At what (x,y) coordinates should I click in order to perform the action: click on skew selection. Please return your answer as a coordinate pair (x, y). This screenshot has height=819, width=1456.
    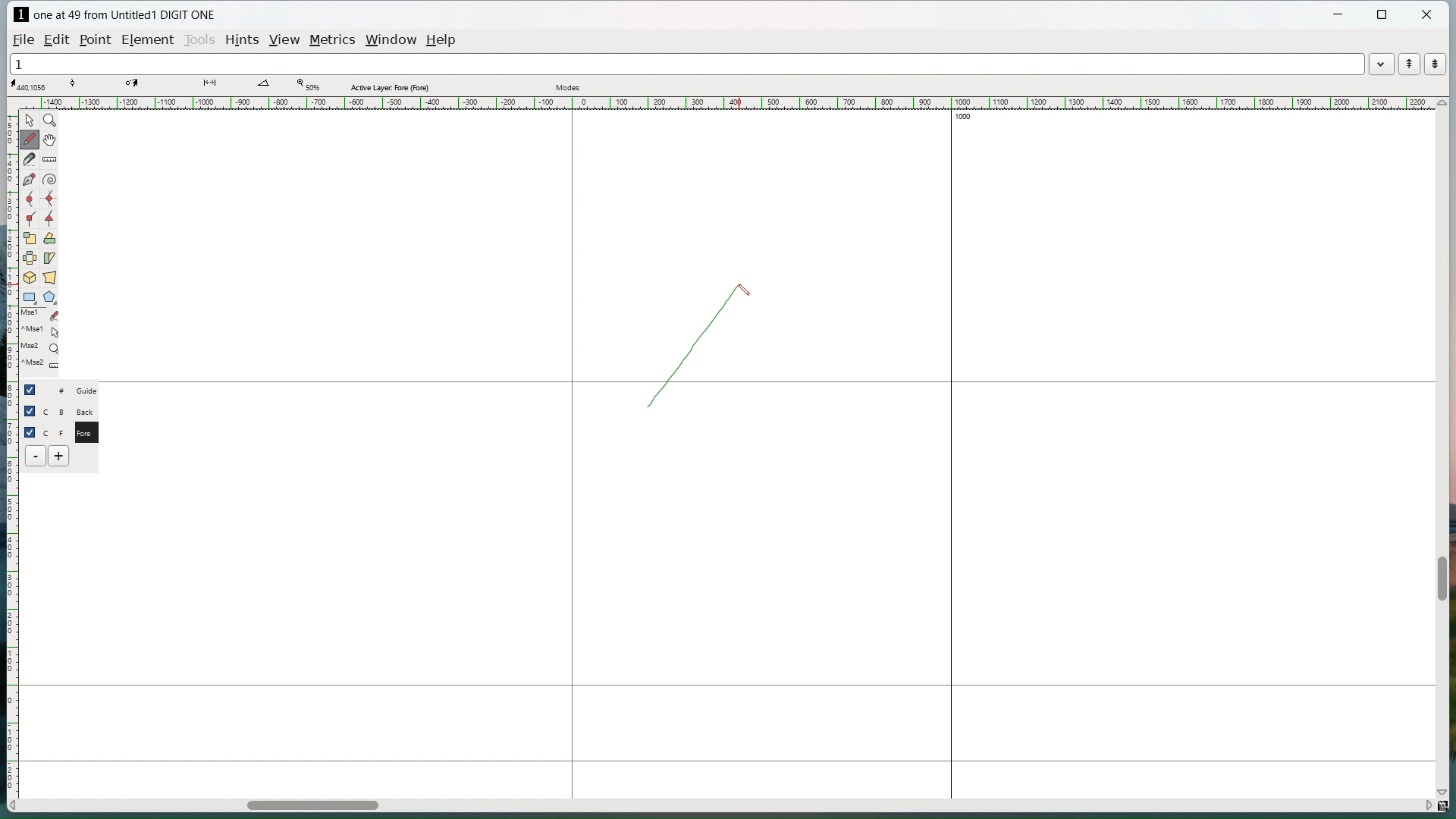
    Looking at the image, I should click on (50, 258).